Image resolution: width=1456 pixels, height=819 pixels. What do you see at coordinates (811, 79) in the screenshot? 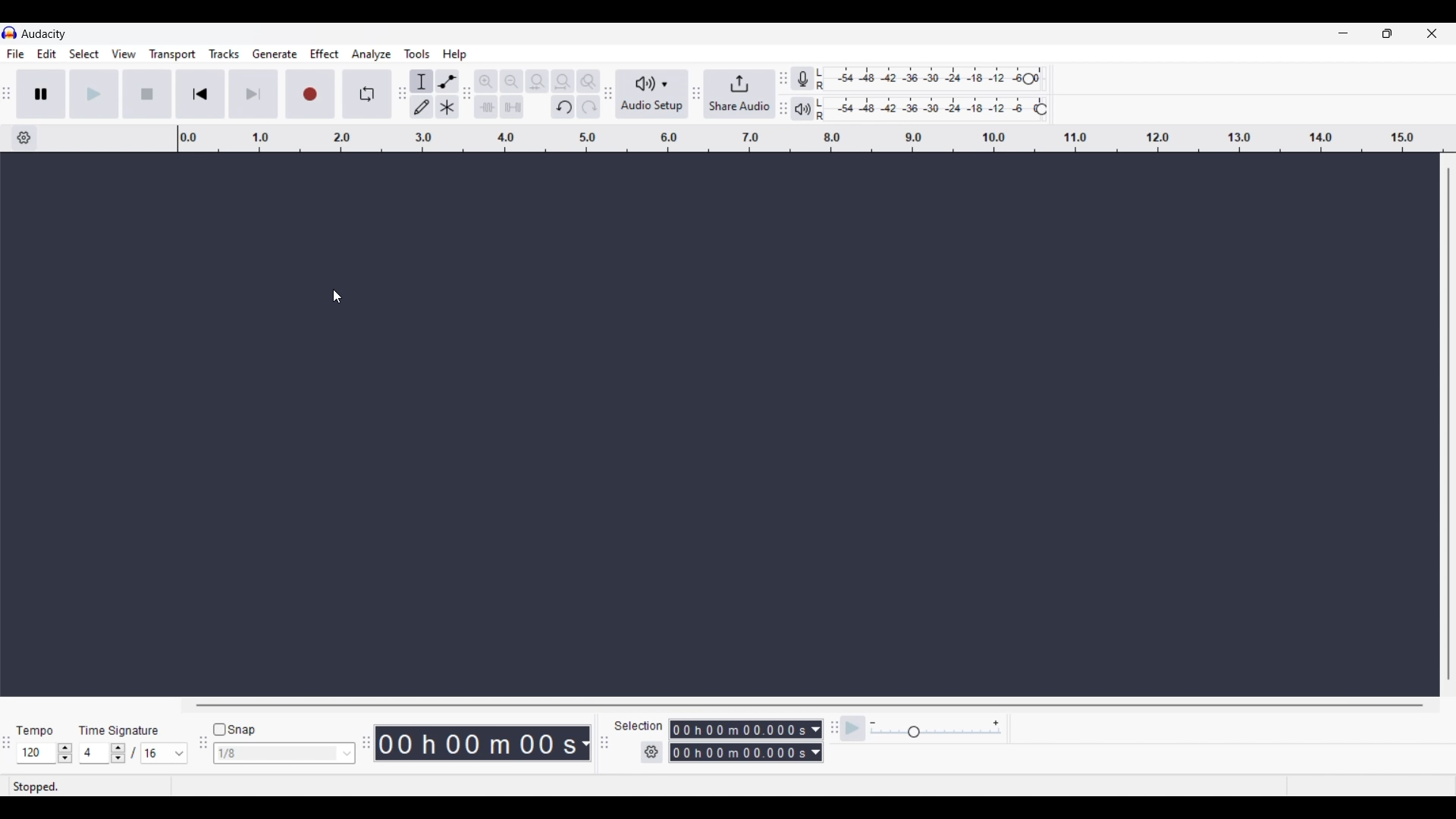
I see `Record meter` at bounding box center [811, 79].